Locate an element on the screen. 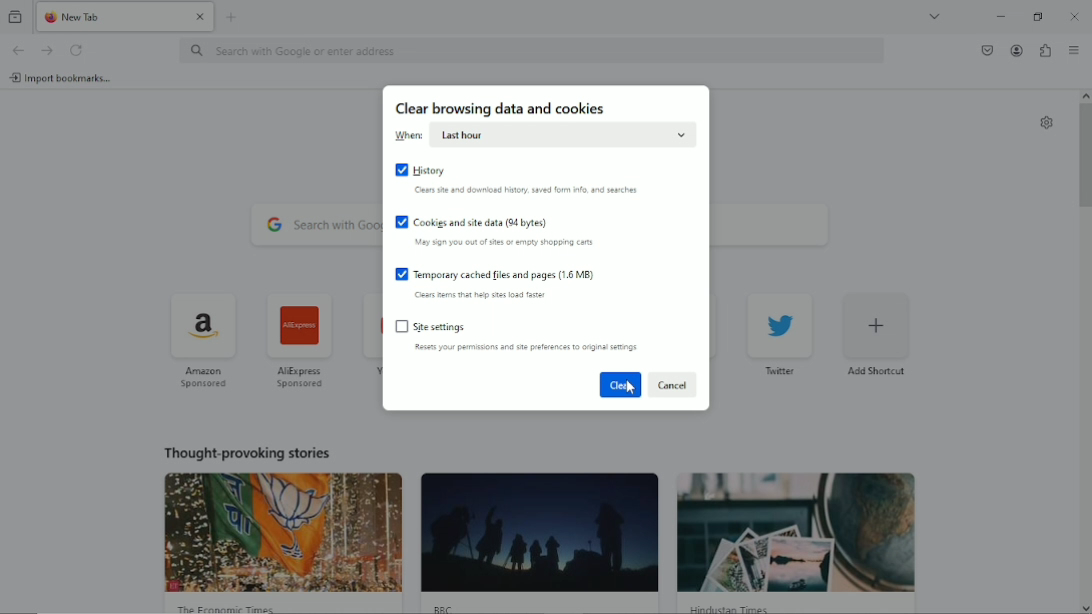 The width and height of the screenshot is (1092, 614). save to pocket is located at coordinates (986, 51).